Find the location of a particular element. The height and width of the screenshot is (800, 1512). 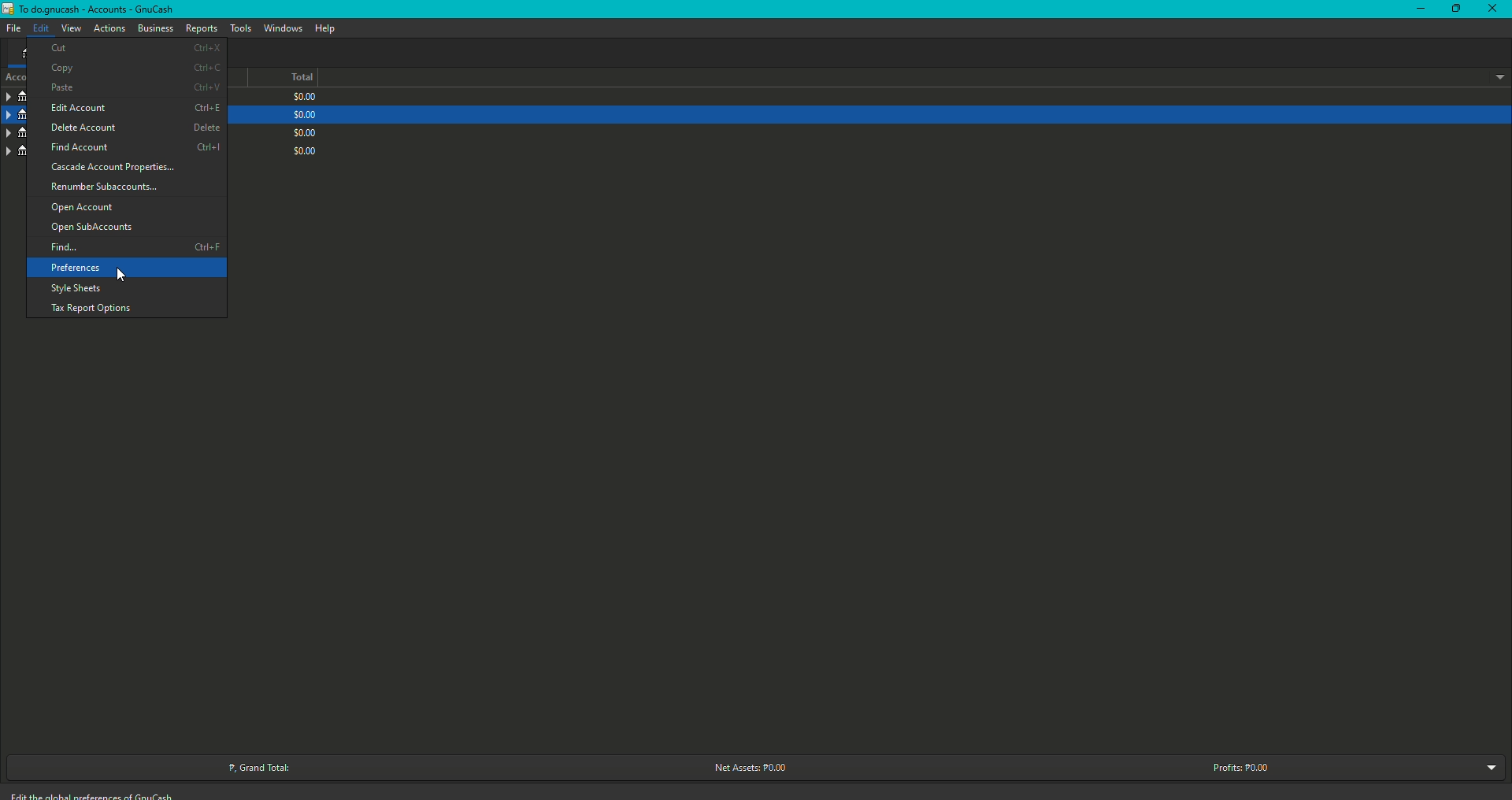

Tax Report Options is located at coordinates (90, 309).